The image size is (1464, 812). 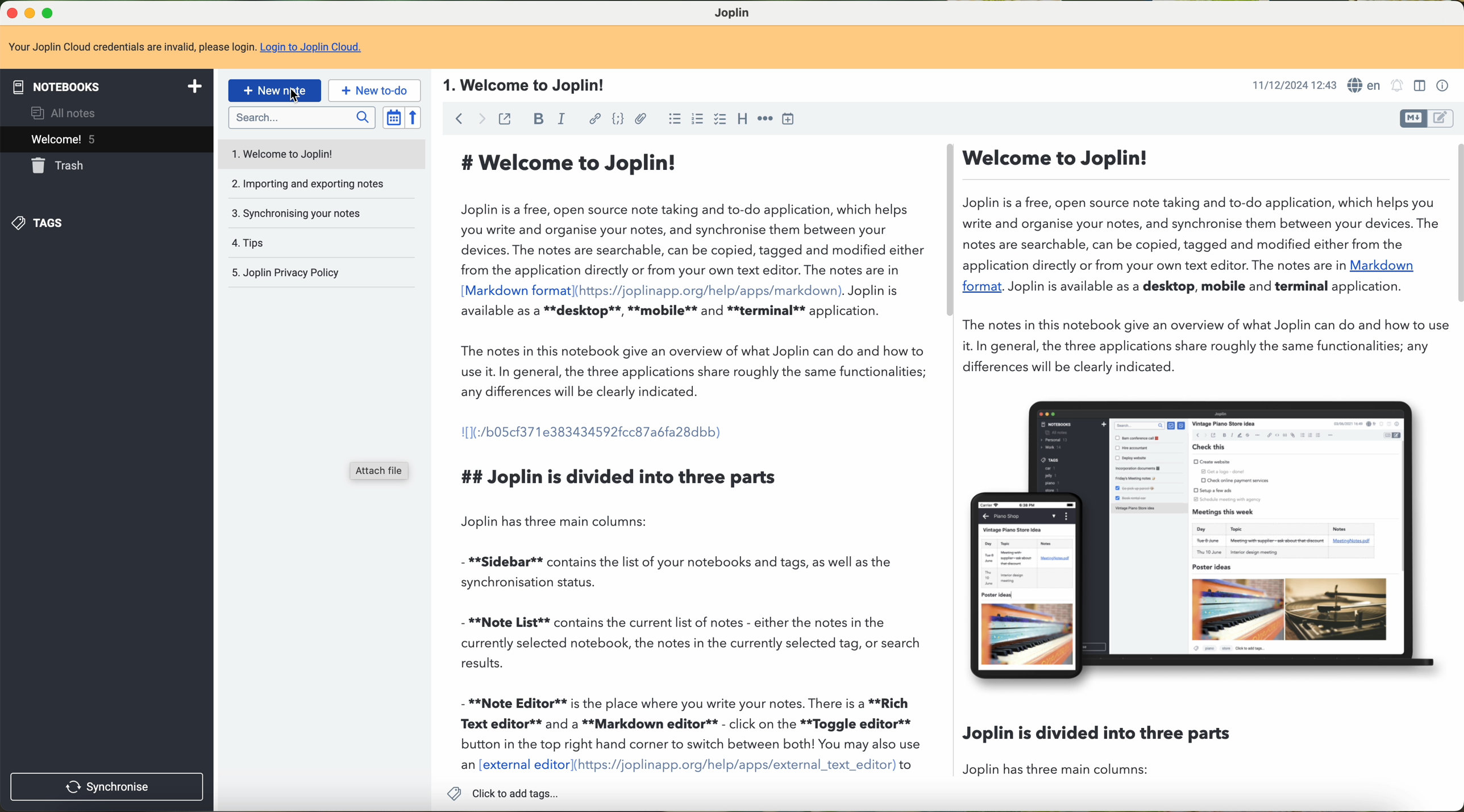 I want to click on Welcome to Joplin body text, so click(x=685, y=460).